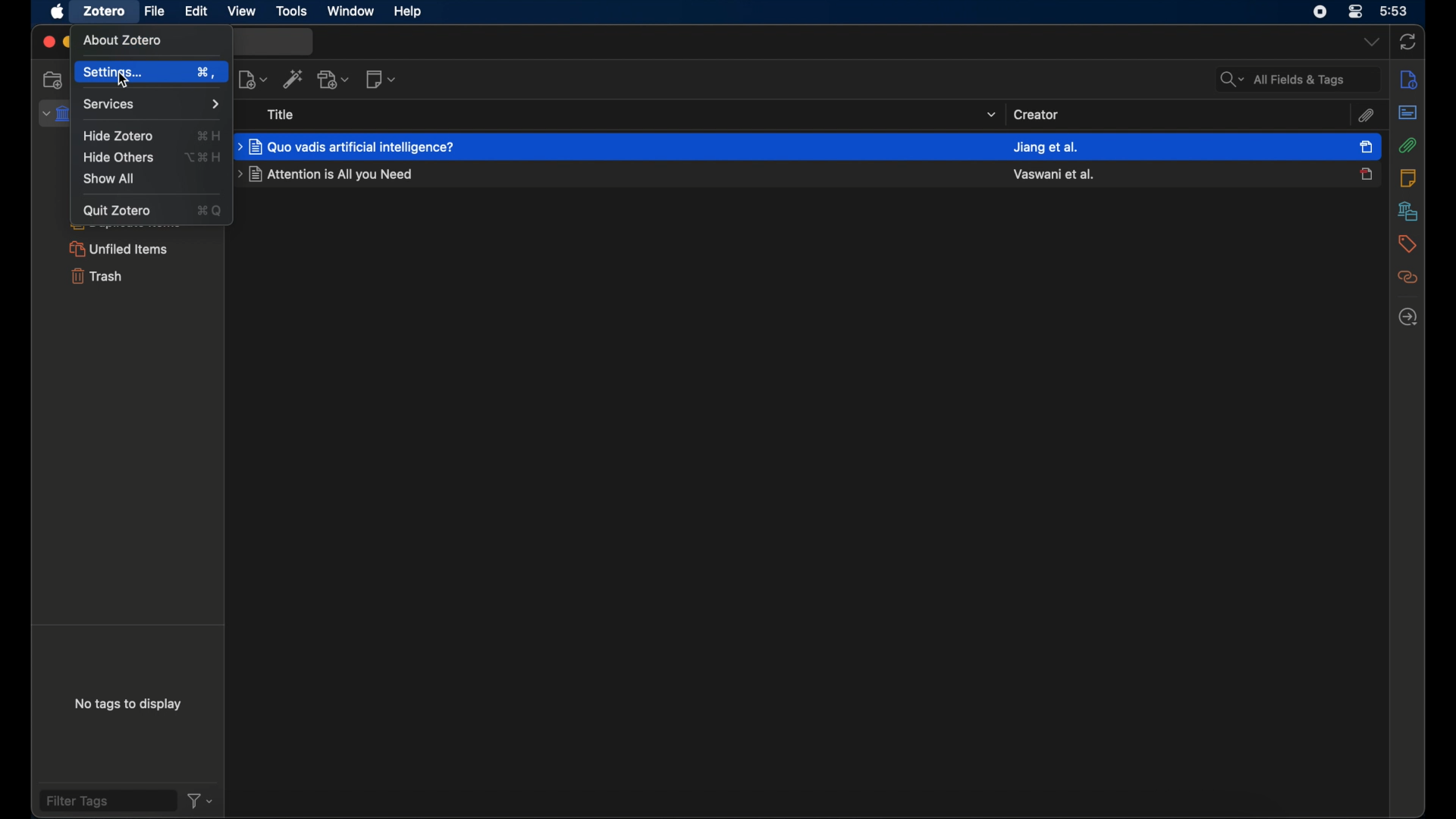  What do you see at coordinates (1407, 41) in the screenshot?
I see `sync` at bounding box center [1407, 41].